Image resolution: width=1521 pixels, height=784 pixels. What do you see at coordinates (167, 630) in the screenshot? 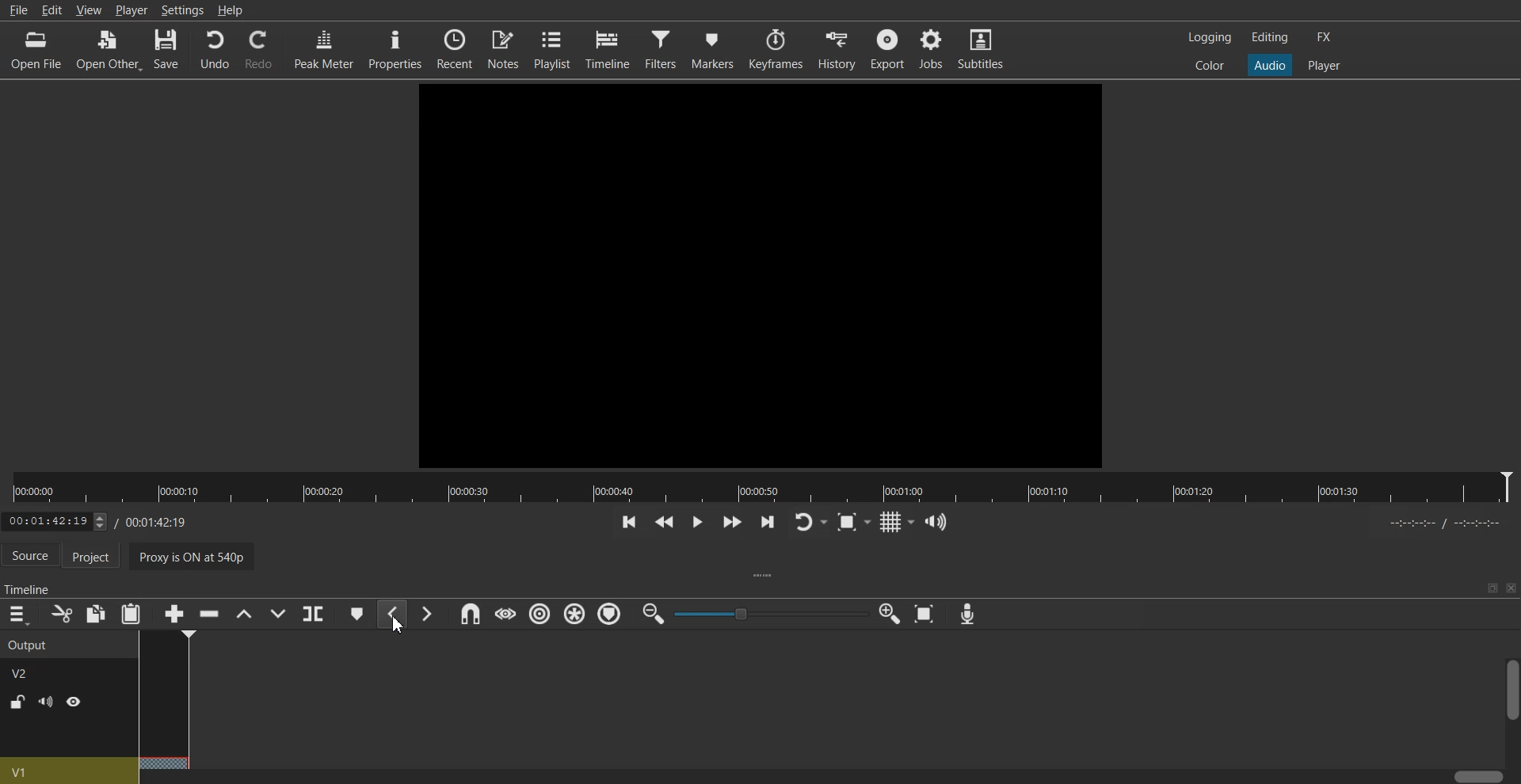
I see `Cursor` at bounding box center [167, 630].